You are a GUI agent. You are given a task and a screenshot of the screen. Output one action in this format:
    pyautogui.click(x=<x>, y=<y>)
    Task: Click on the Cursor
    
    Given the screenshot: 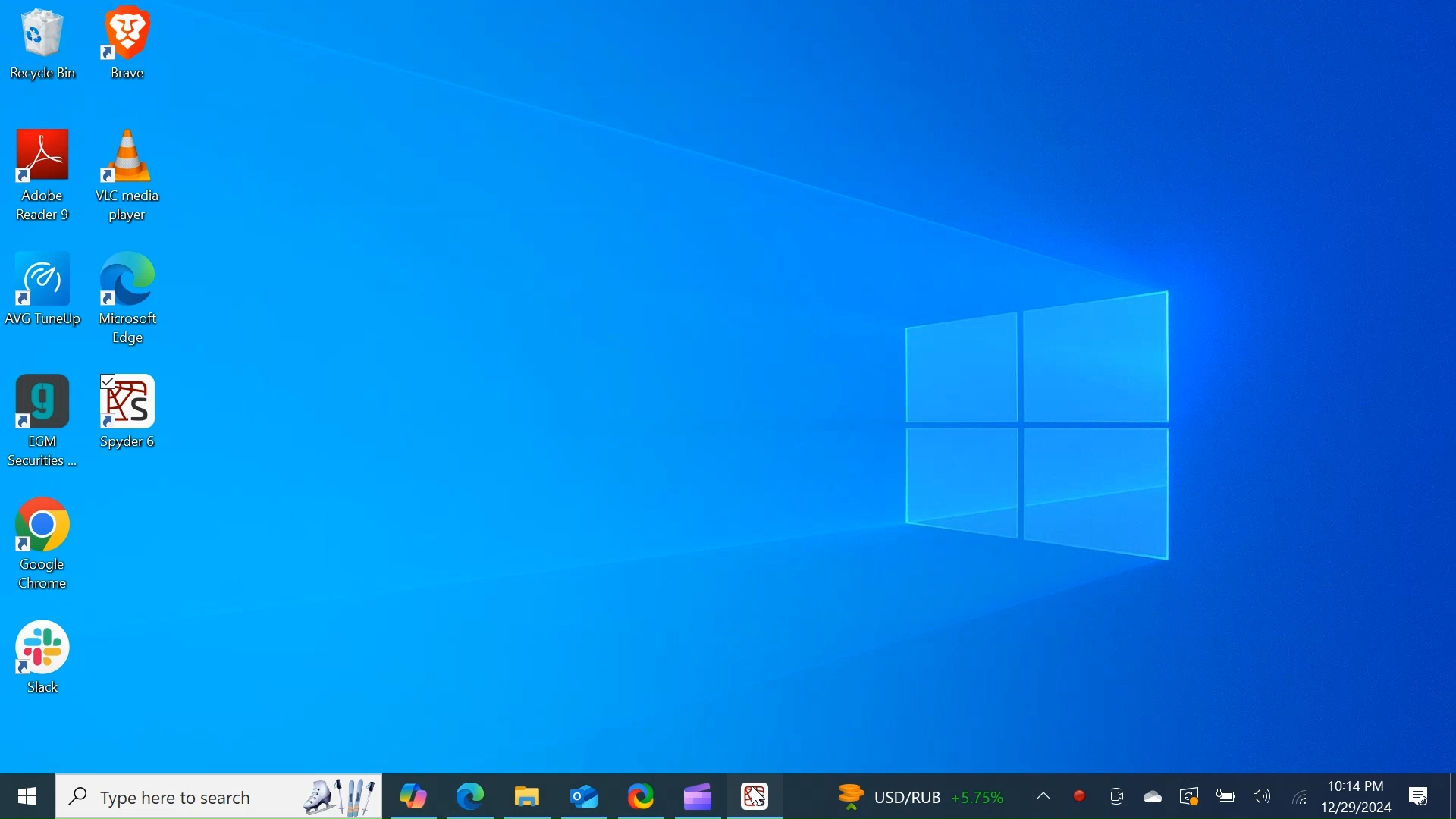 What is the action you would take?
    pyautogui.click(x=755, y=796)
    